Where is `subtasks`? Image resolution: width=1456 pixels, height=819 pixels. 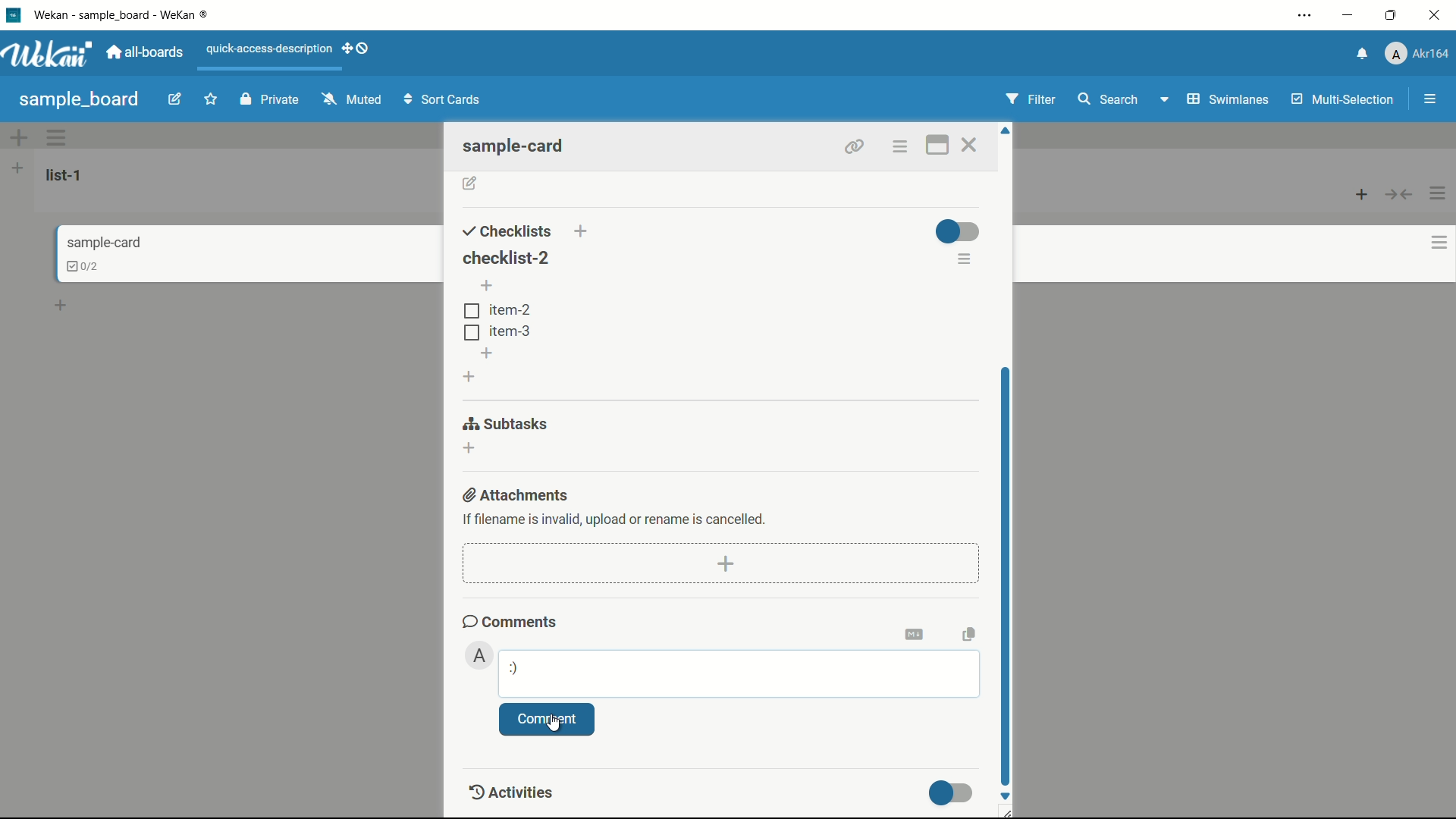
subtasks is located at coordinates (507, 423).